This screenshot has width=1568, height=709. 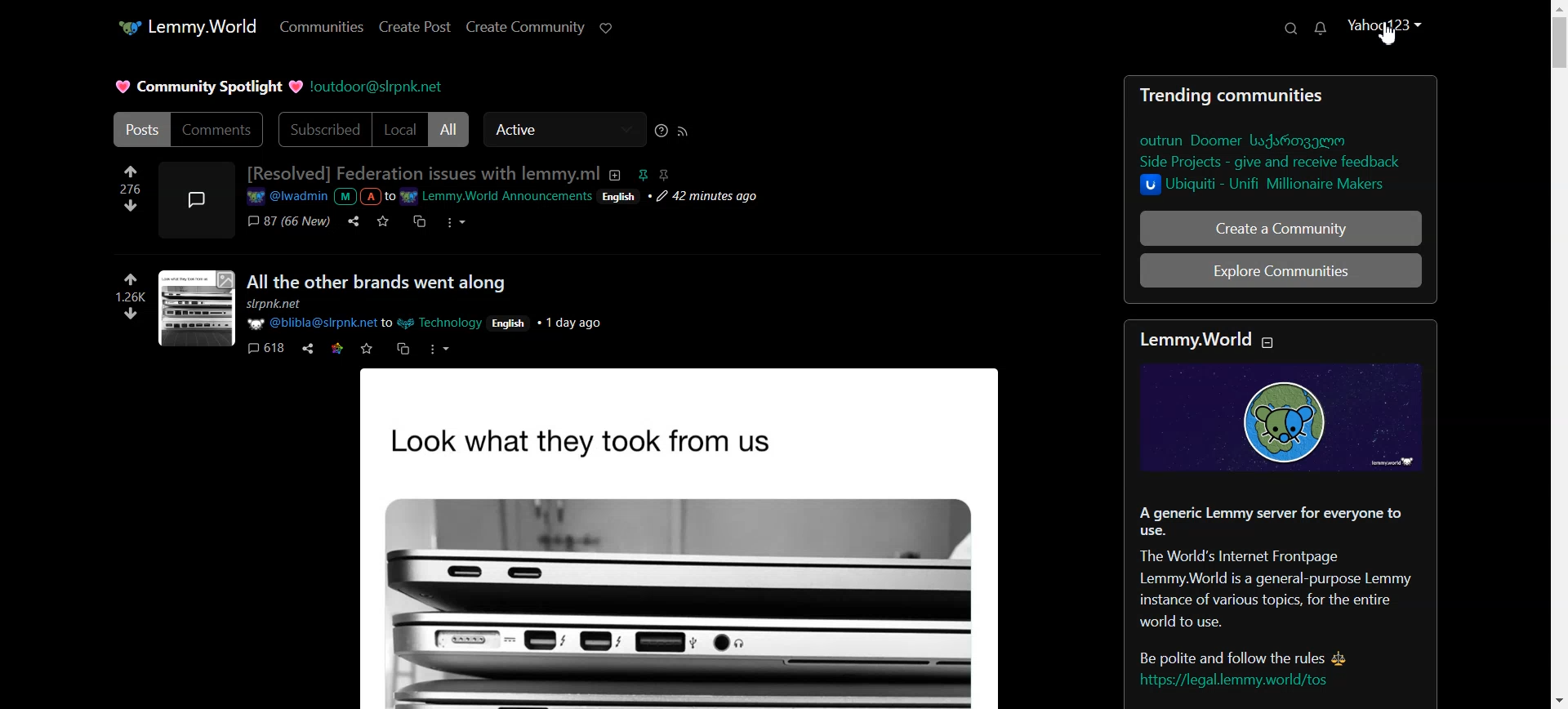 What do you see at coordinates (265, 347) in the screenshot?
I see `618` at bounding box center [265, 347].